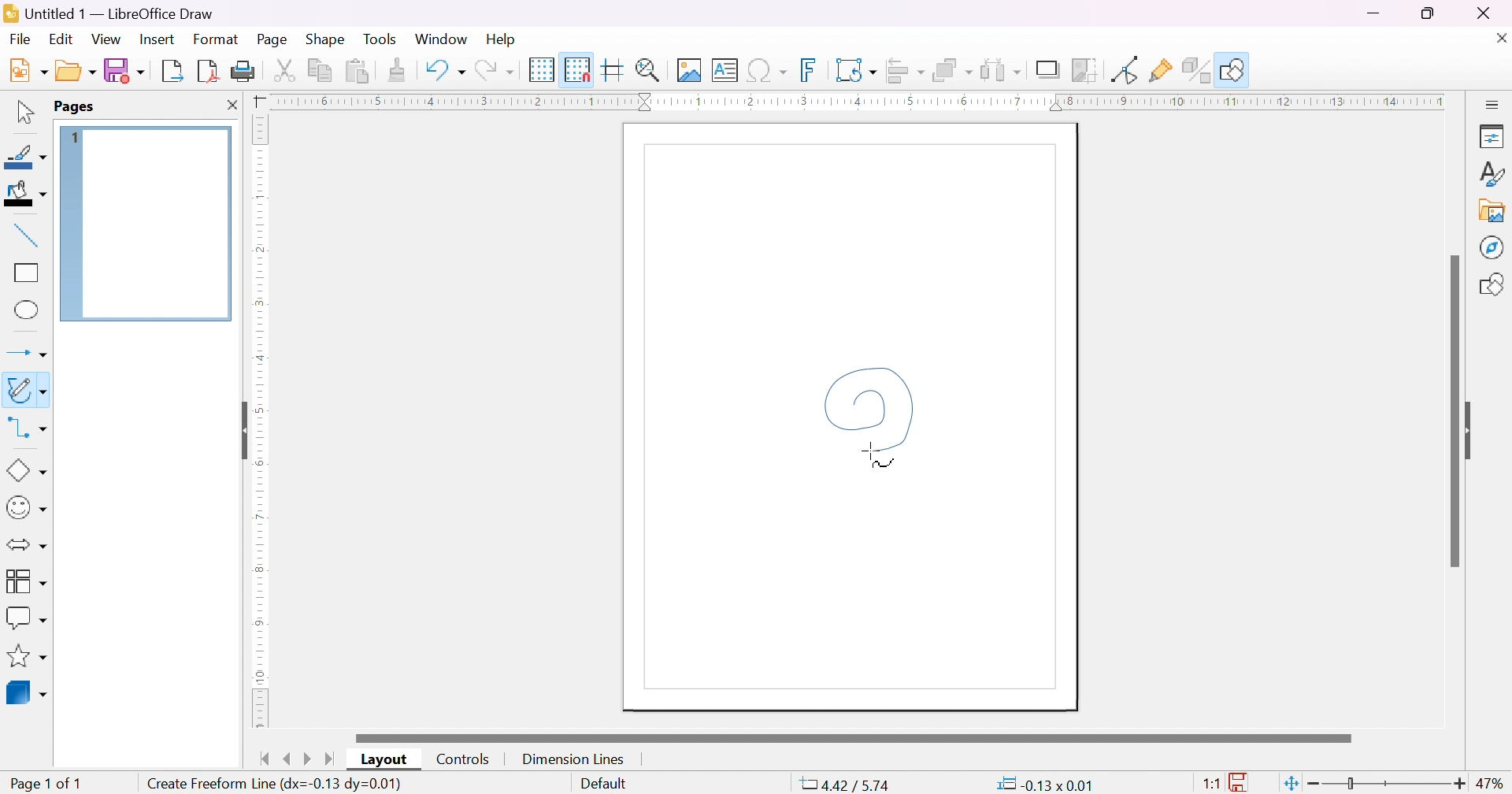 The height and width of the screenshot is (794, 1512). What do you see at coordinates (1195, 70) in the screenshot?
I see `toggle extrusion` at bounding box center [1195, 70].